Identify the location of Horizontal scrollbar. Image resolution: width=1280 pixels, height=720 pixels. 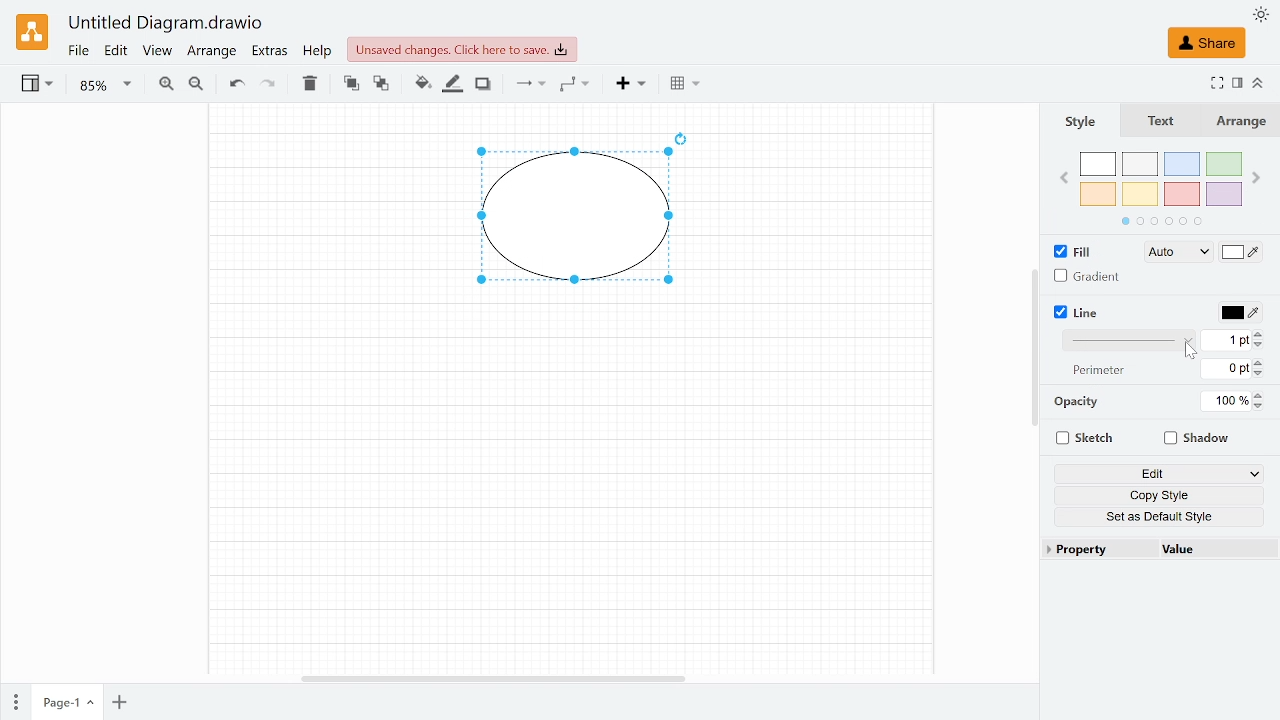
(490, 678).